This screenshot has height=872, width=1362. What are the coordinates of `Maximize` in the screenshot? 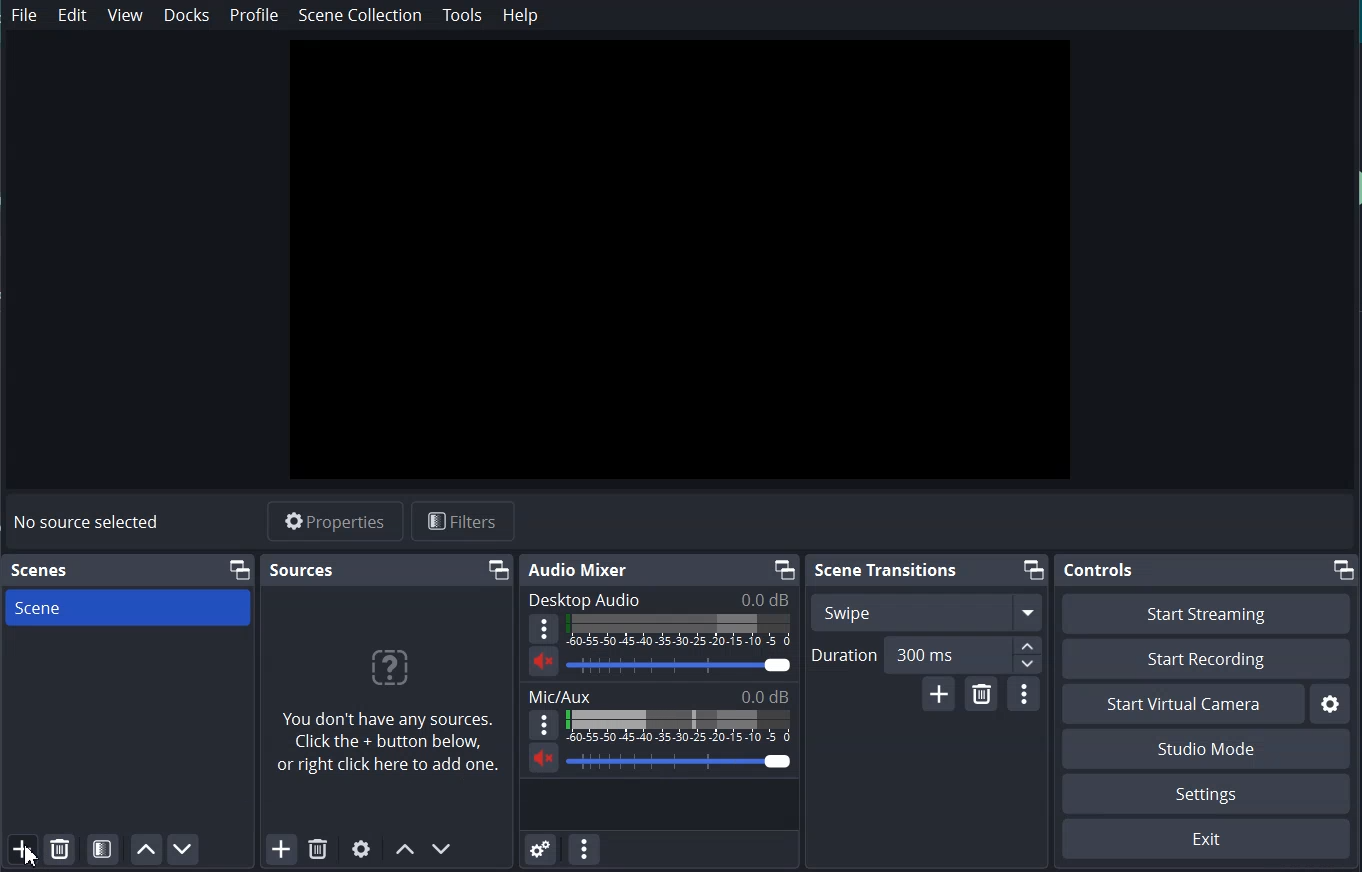 It's located at (1345, 569).